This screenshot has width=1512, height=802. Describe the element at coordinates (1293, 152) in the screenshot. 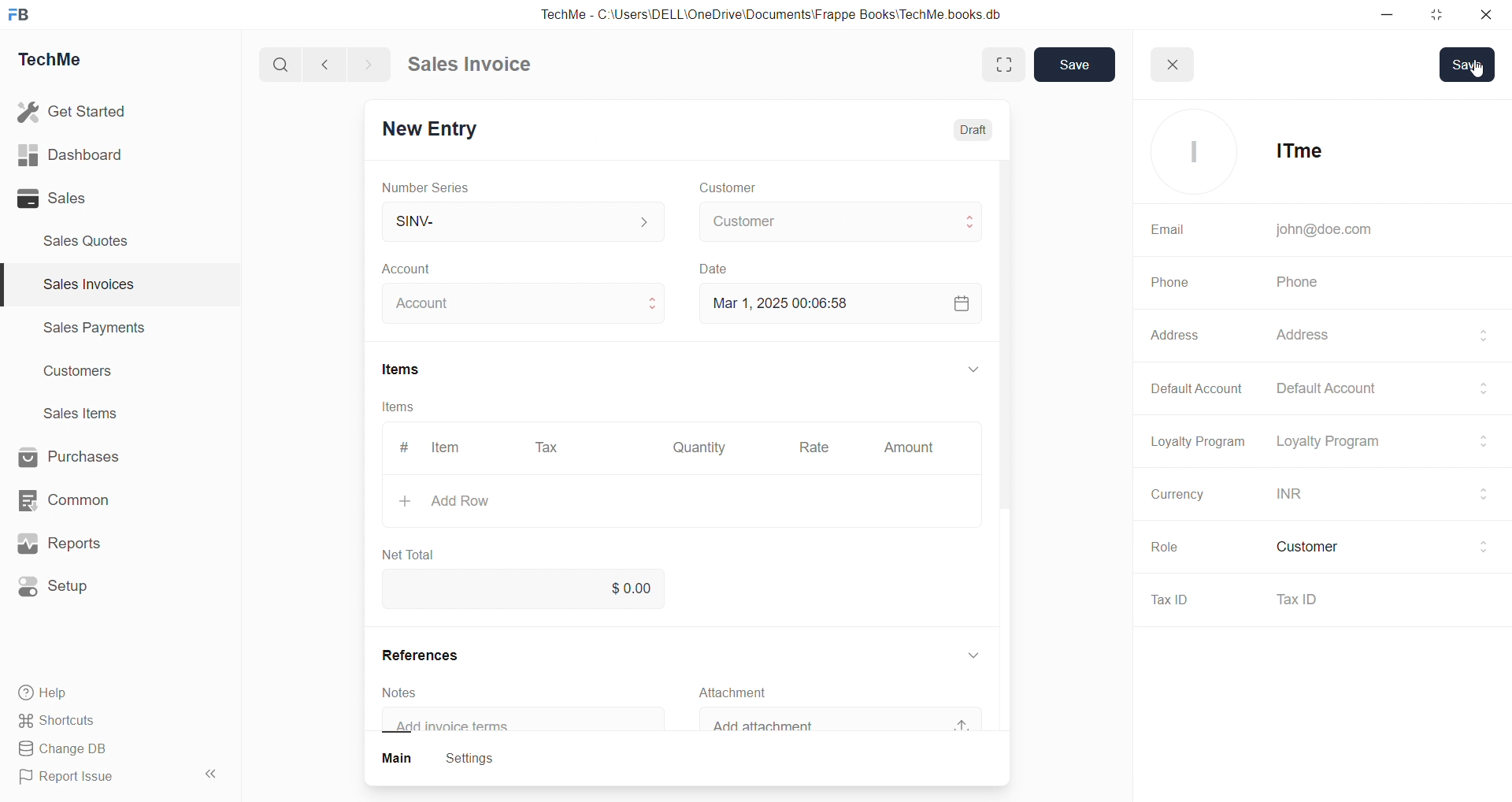

I see `ITme` at that location.